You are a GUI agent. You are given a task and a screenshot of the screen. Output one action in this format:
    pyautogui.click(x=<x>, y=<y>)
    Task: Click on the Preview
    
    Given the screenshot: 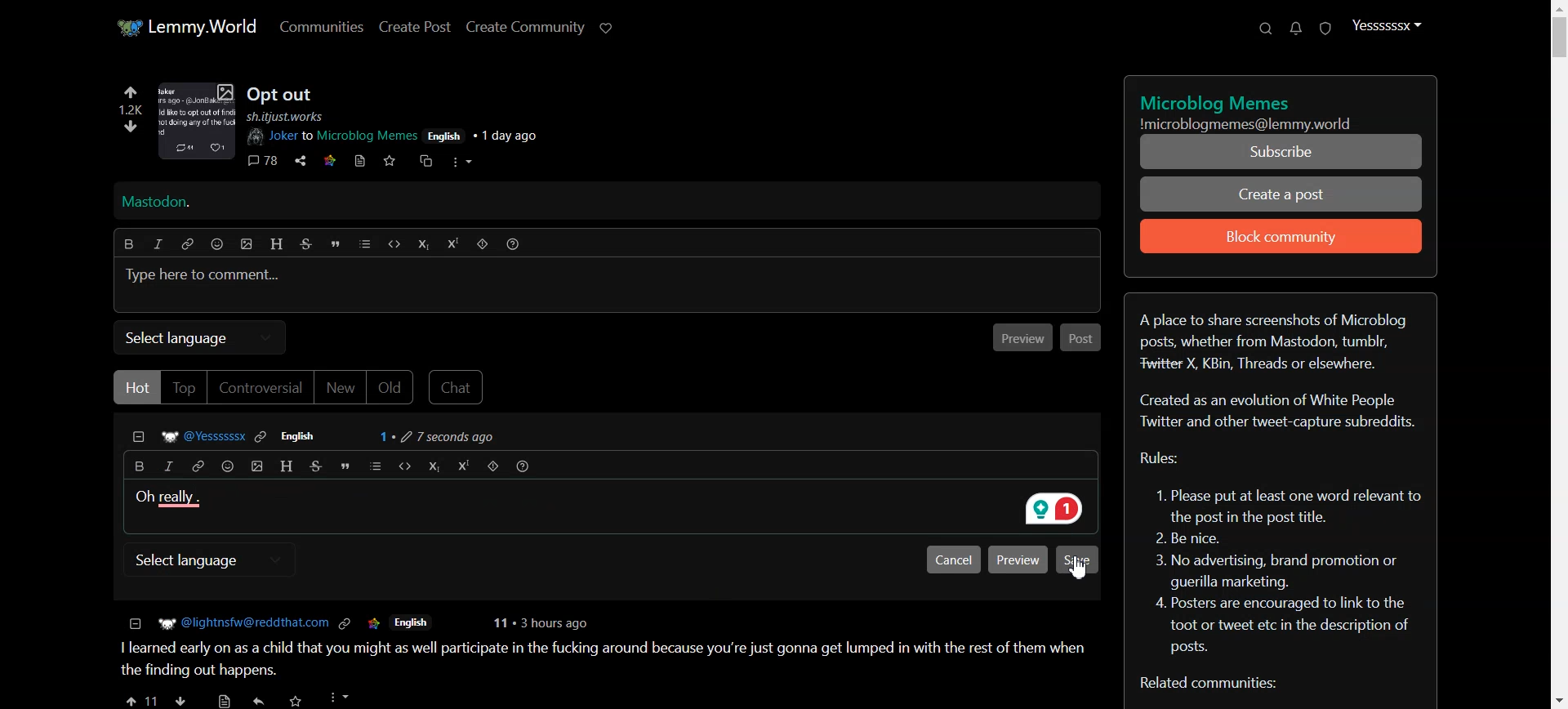 What is the action you would take?
    pyautogui.click(x=1018, y=559)
    